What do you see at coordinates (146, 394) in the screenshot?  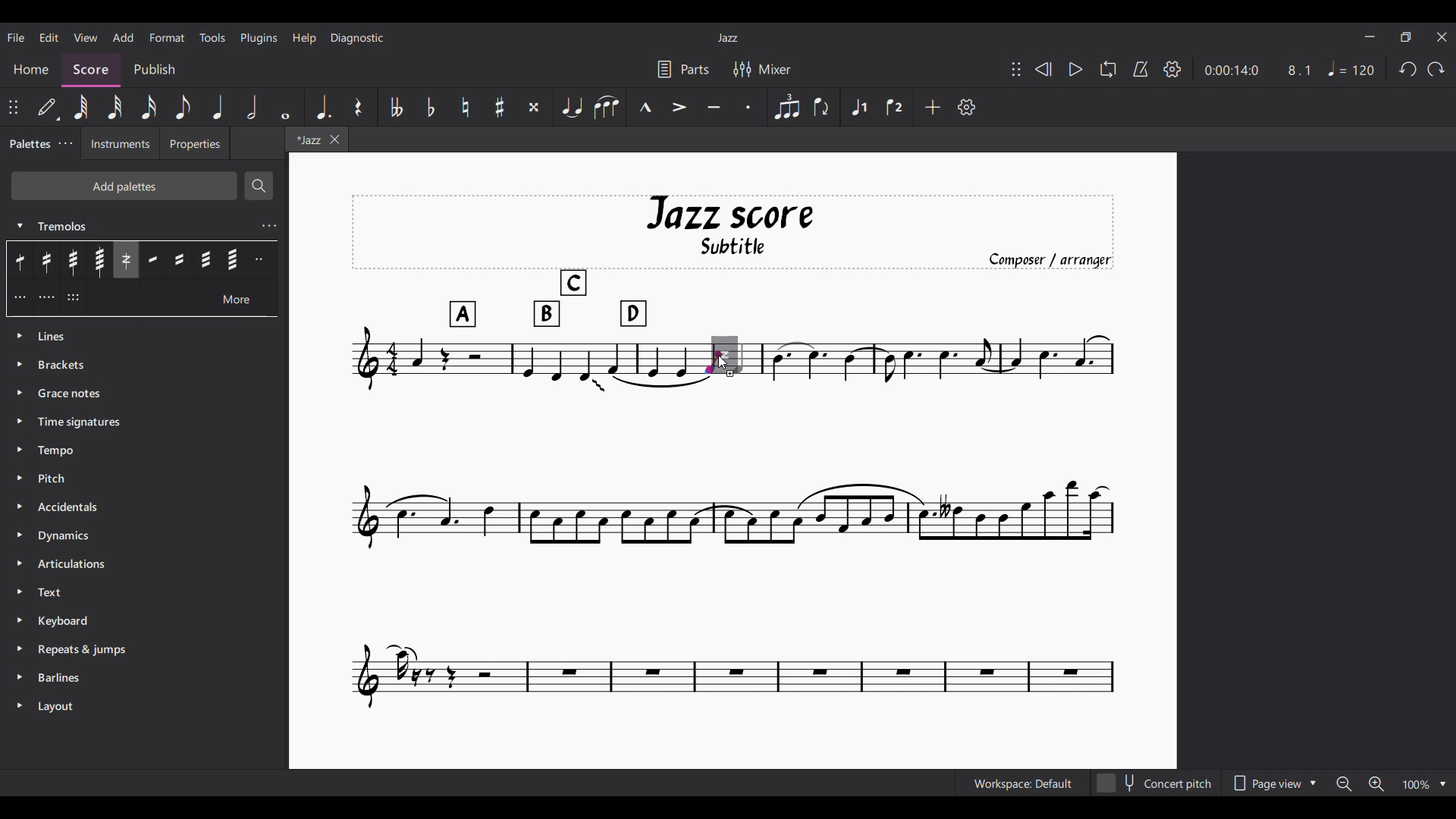 I see `Grace notes` at bounding box center [146, 394].